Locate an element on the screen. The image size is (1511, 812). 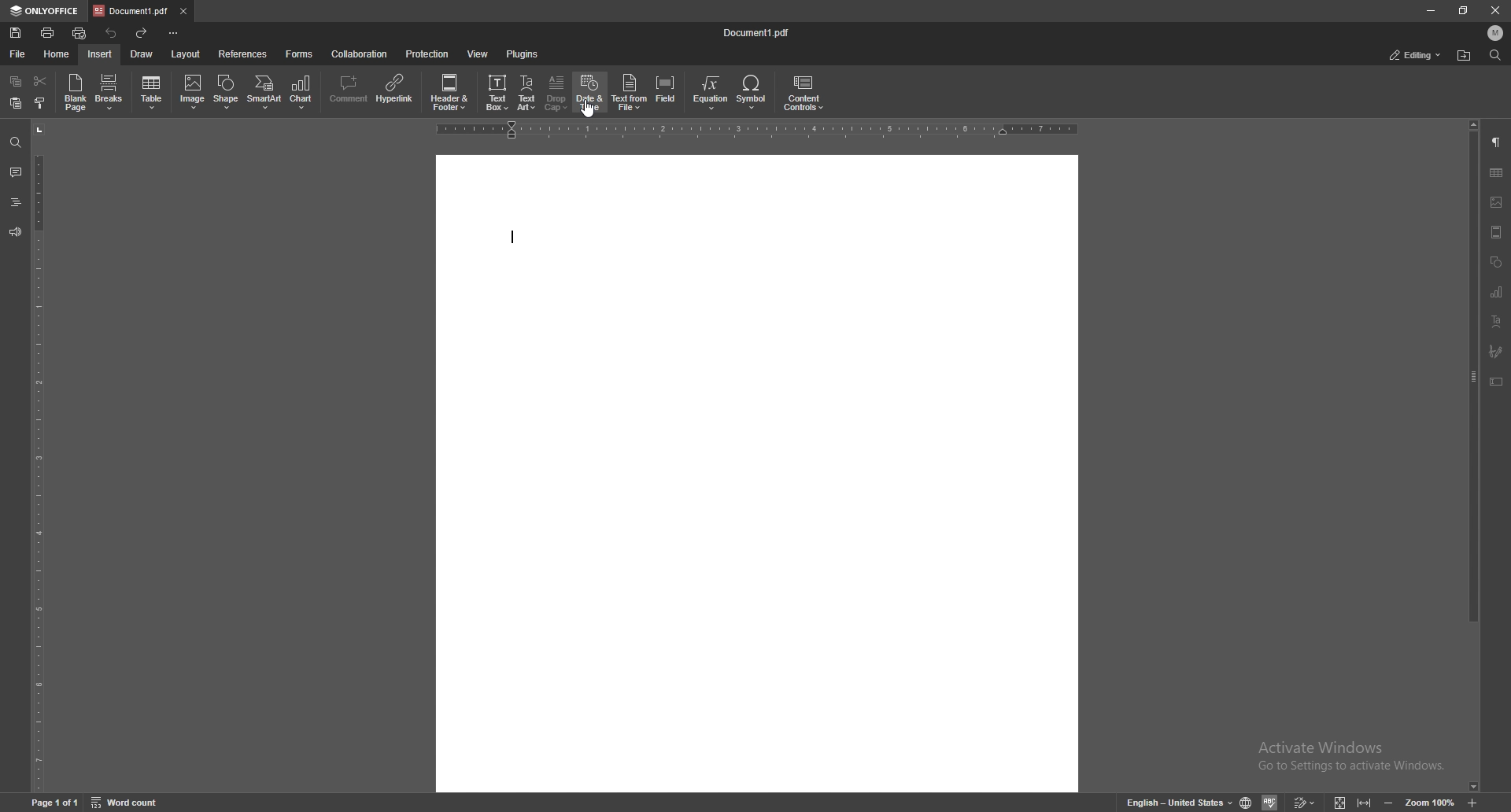
spell check is located at coordinates (1269, 801).